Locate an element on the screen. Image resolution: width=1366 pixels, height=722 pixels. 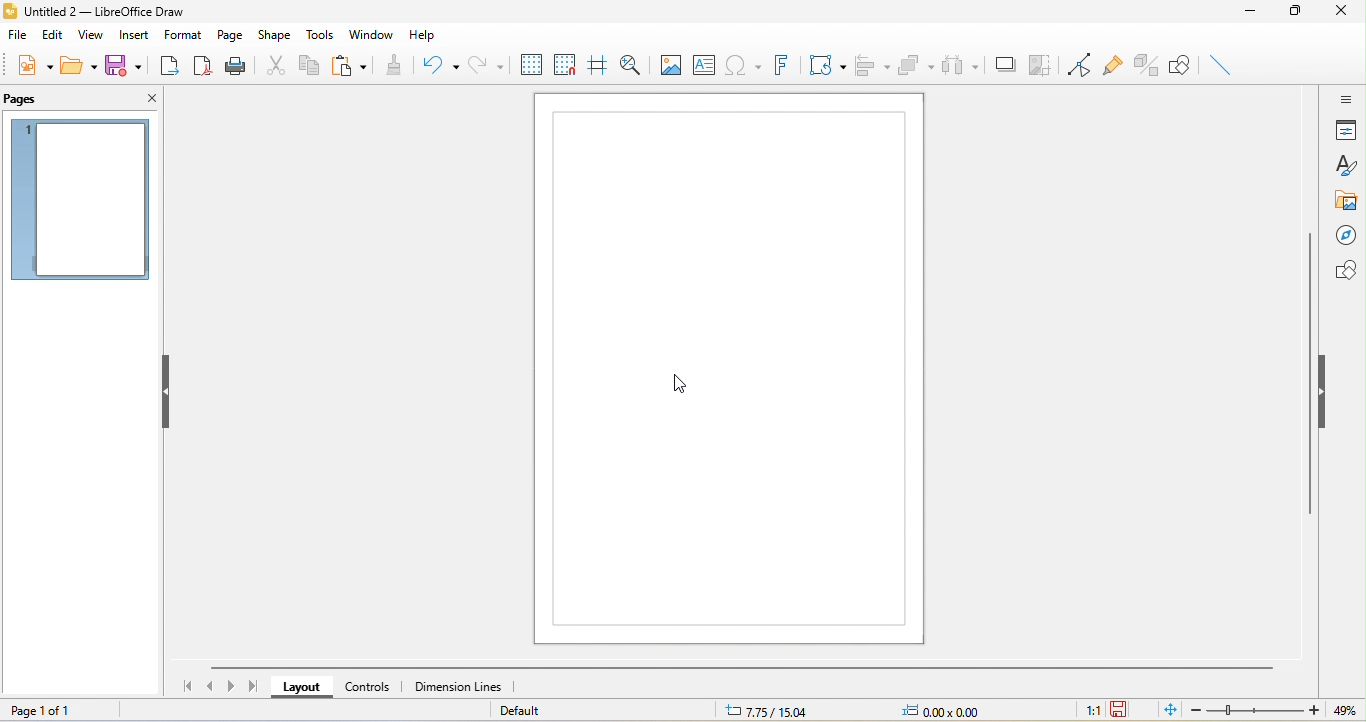
page 1 is located at coordinates (78, 200).